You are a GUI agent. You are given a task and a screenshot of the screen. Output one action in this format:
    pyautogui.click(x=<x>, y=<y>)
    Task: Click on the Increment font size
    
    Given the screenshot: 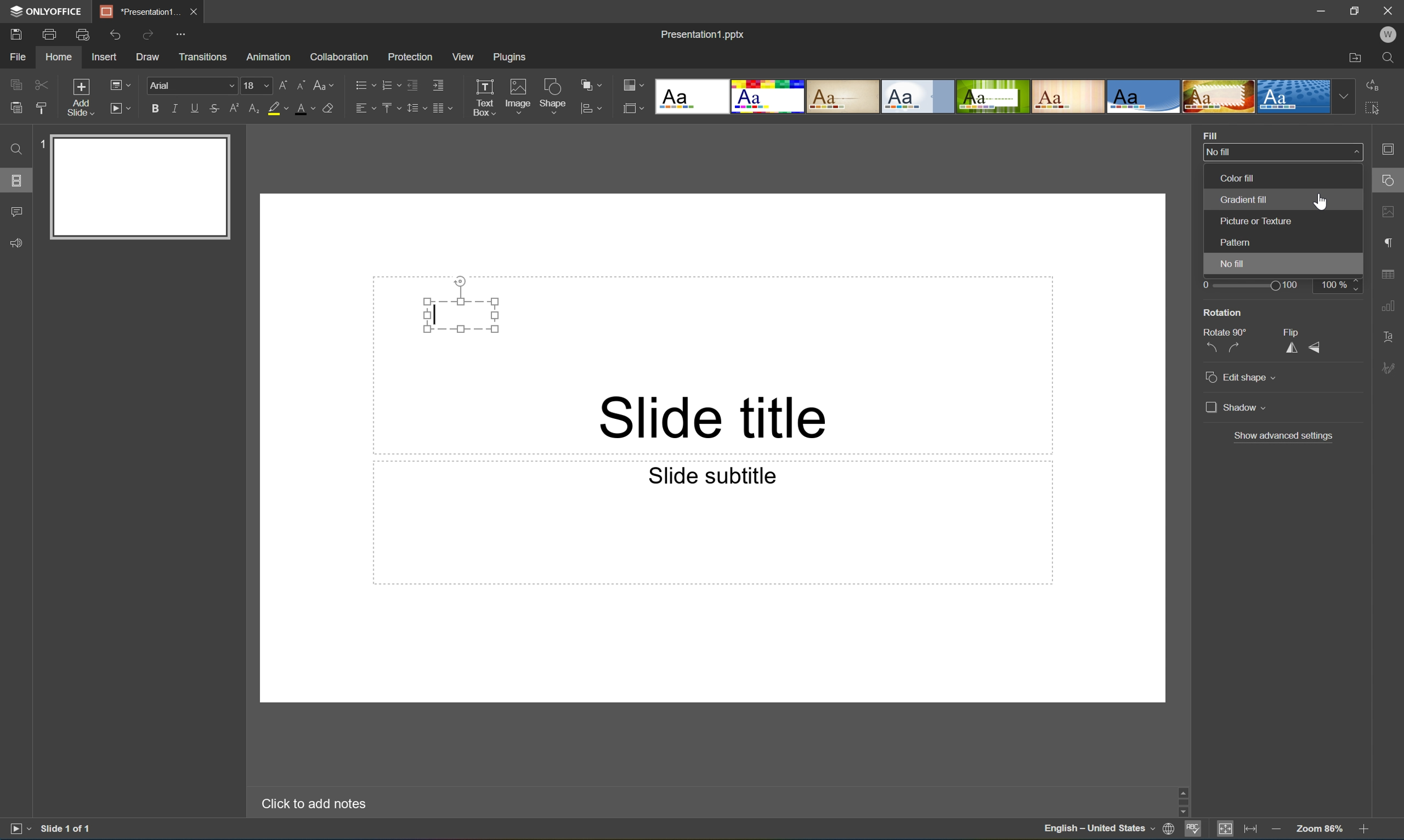 What is the action you would take?
    pyautogui.click(x=280, y=83)
    